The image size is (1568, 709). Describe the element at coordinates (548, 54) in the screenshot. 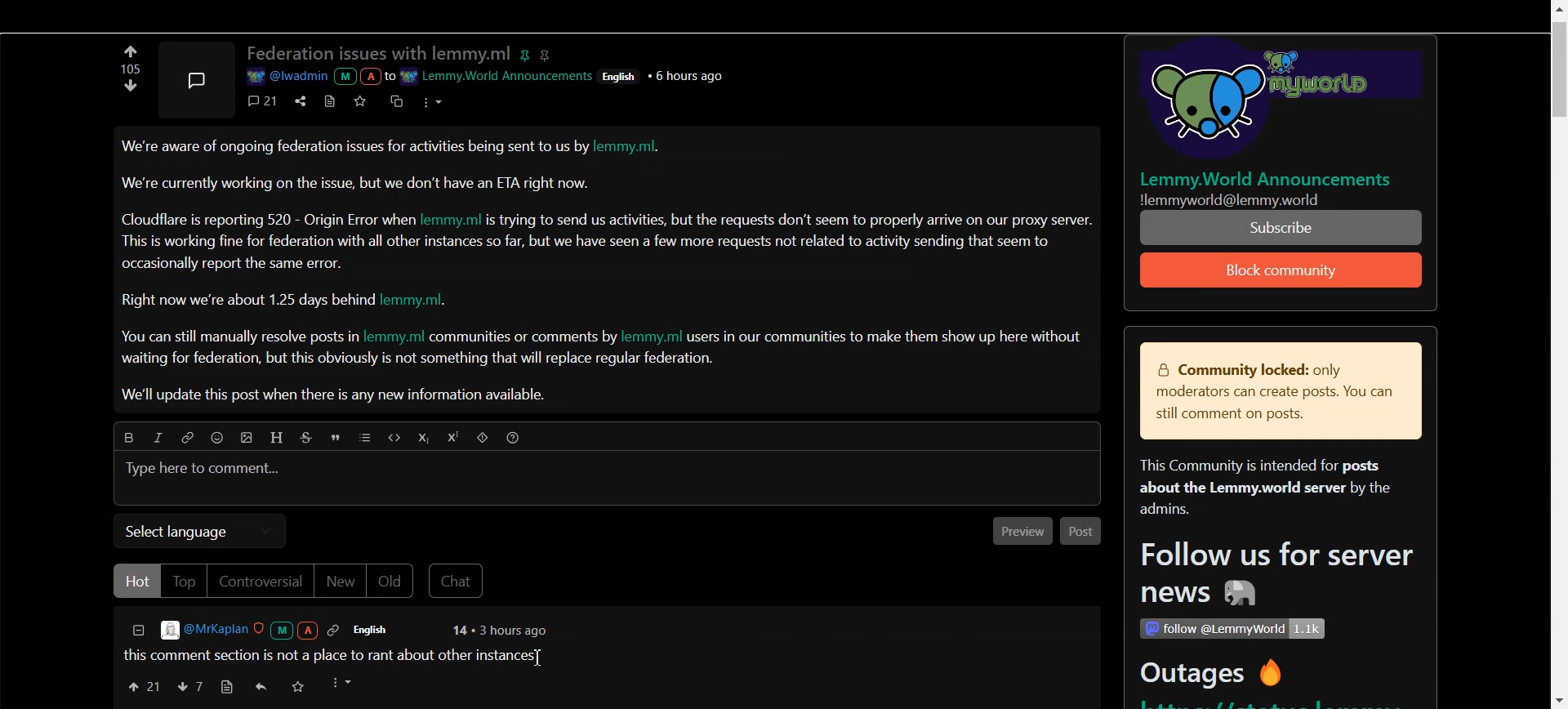

I see `hyperlink` at that location.